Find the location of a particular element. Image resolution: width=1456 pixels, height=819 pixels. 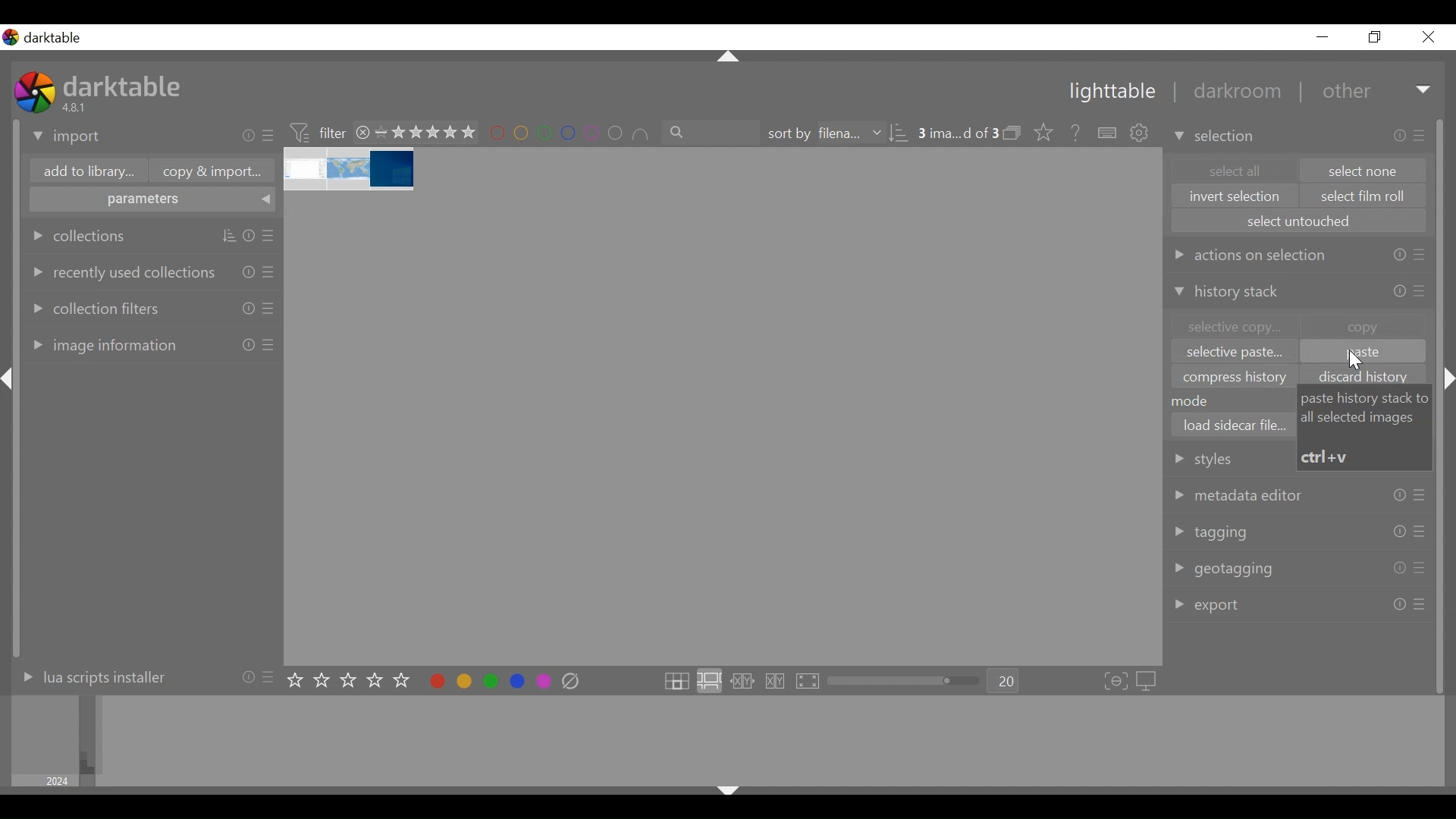

history stack is located at coordinates (1230, 293).